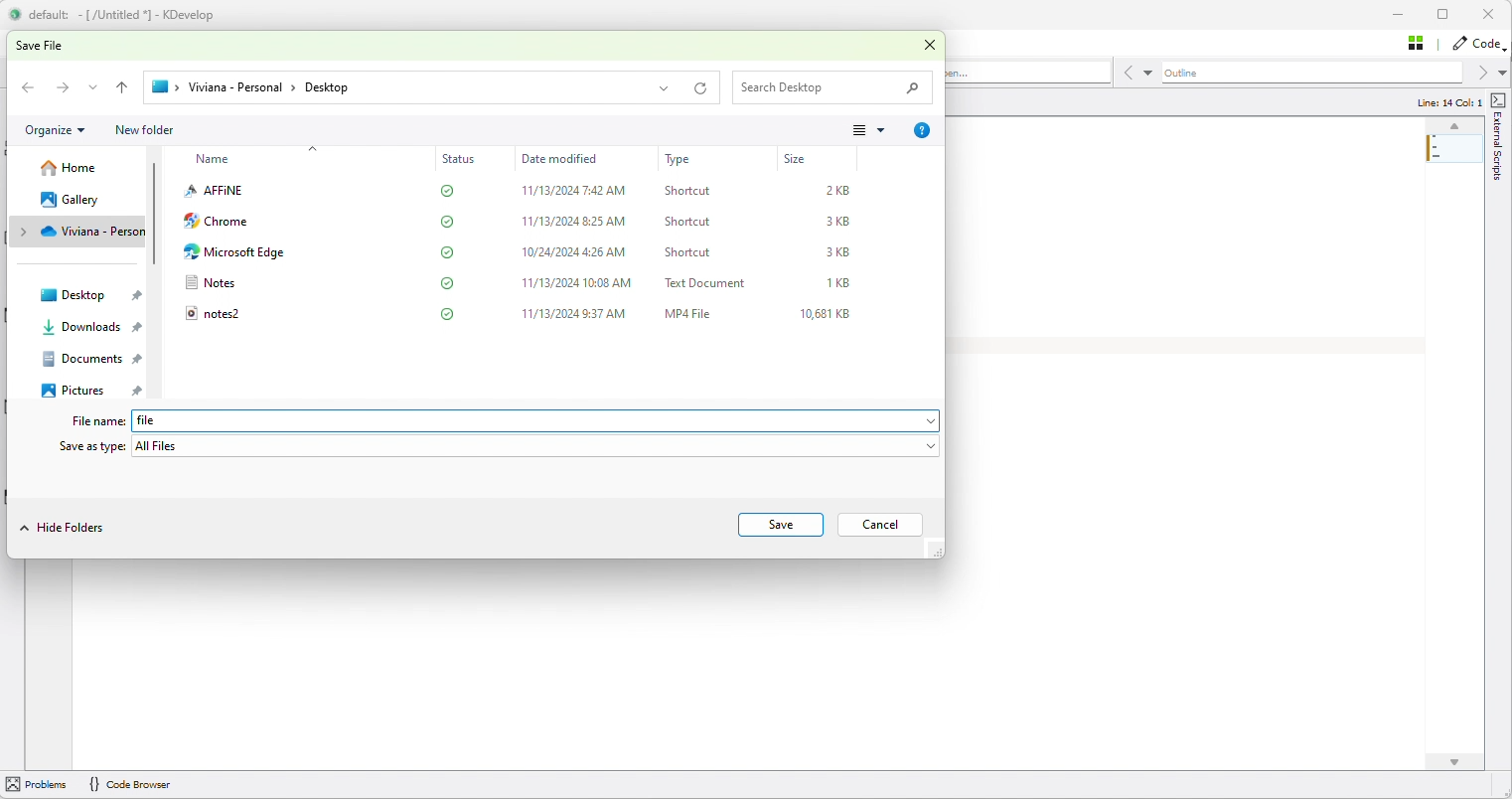 The width and height of the screenshot is (1512, 799). I want to click on Hide Folders, so click(67, 526).